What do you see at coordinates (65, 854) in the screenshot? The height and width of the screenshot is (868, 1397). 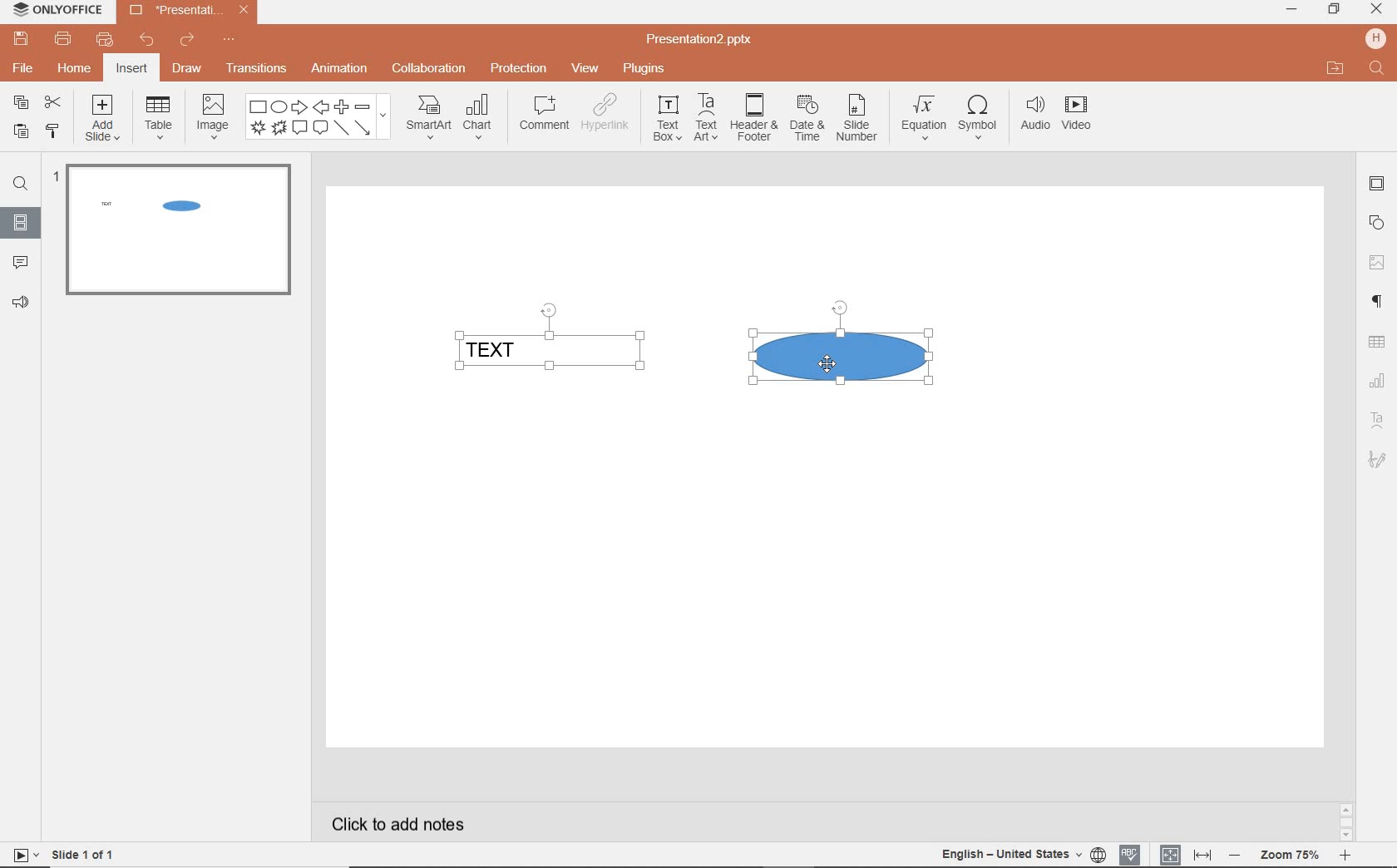 I see `SLIDE 1 OF 1` at bounding box center [65, 854].